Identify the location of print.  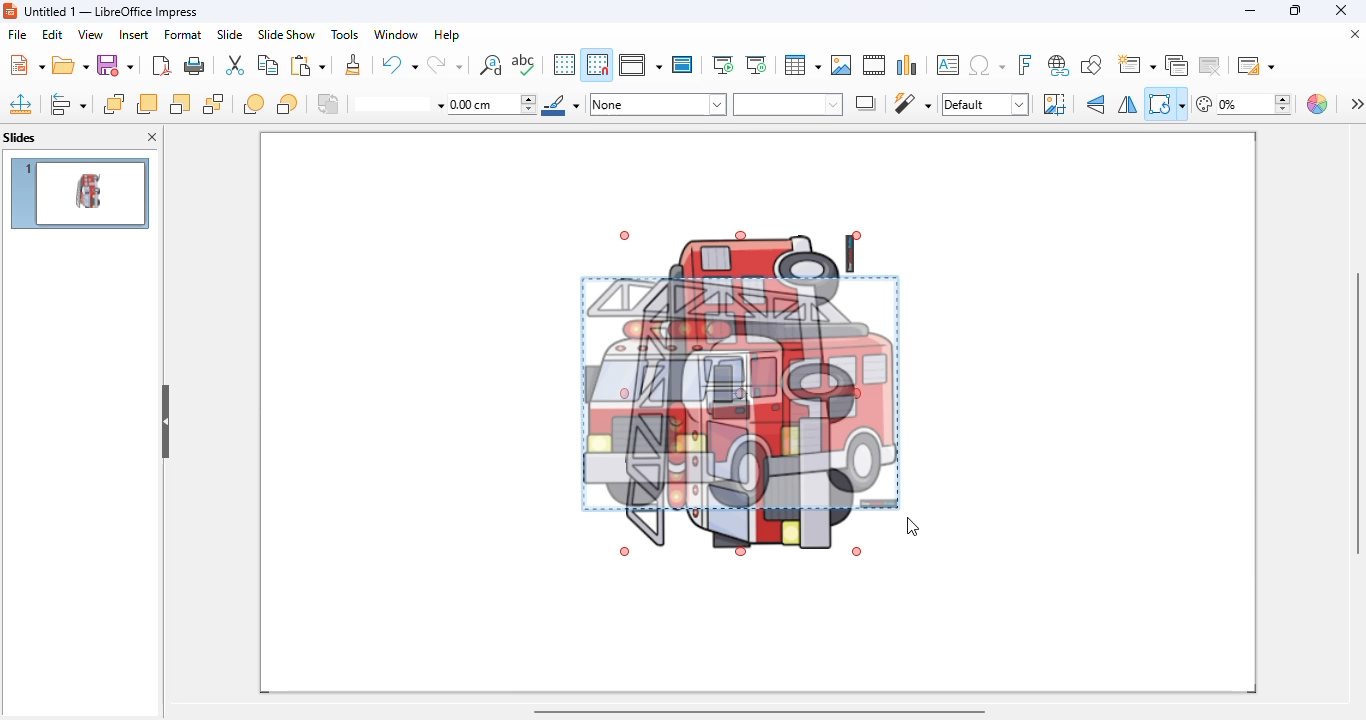
(196, 66).